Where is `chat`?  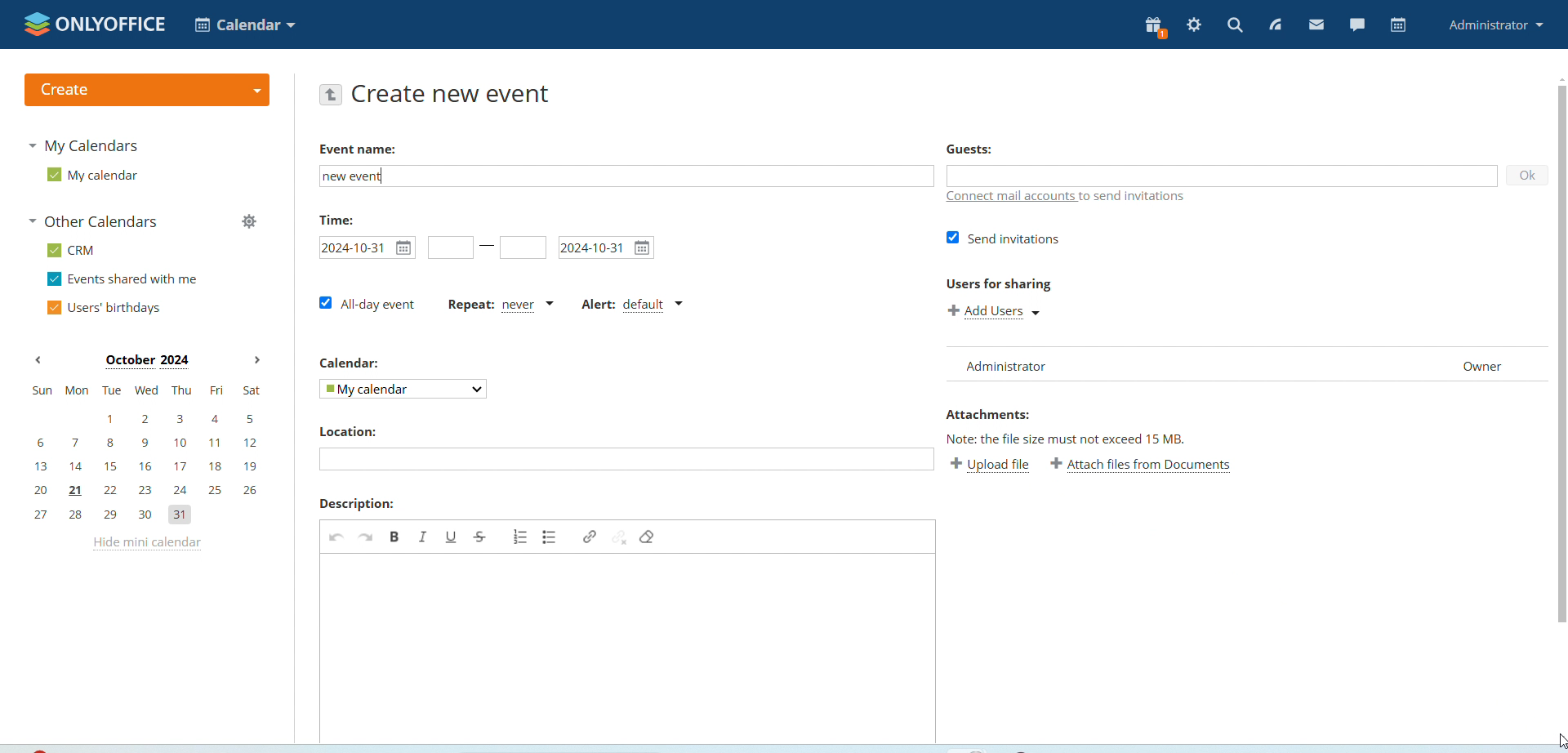
chat is located at coordinates (1359, 23).